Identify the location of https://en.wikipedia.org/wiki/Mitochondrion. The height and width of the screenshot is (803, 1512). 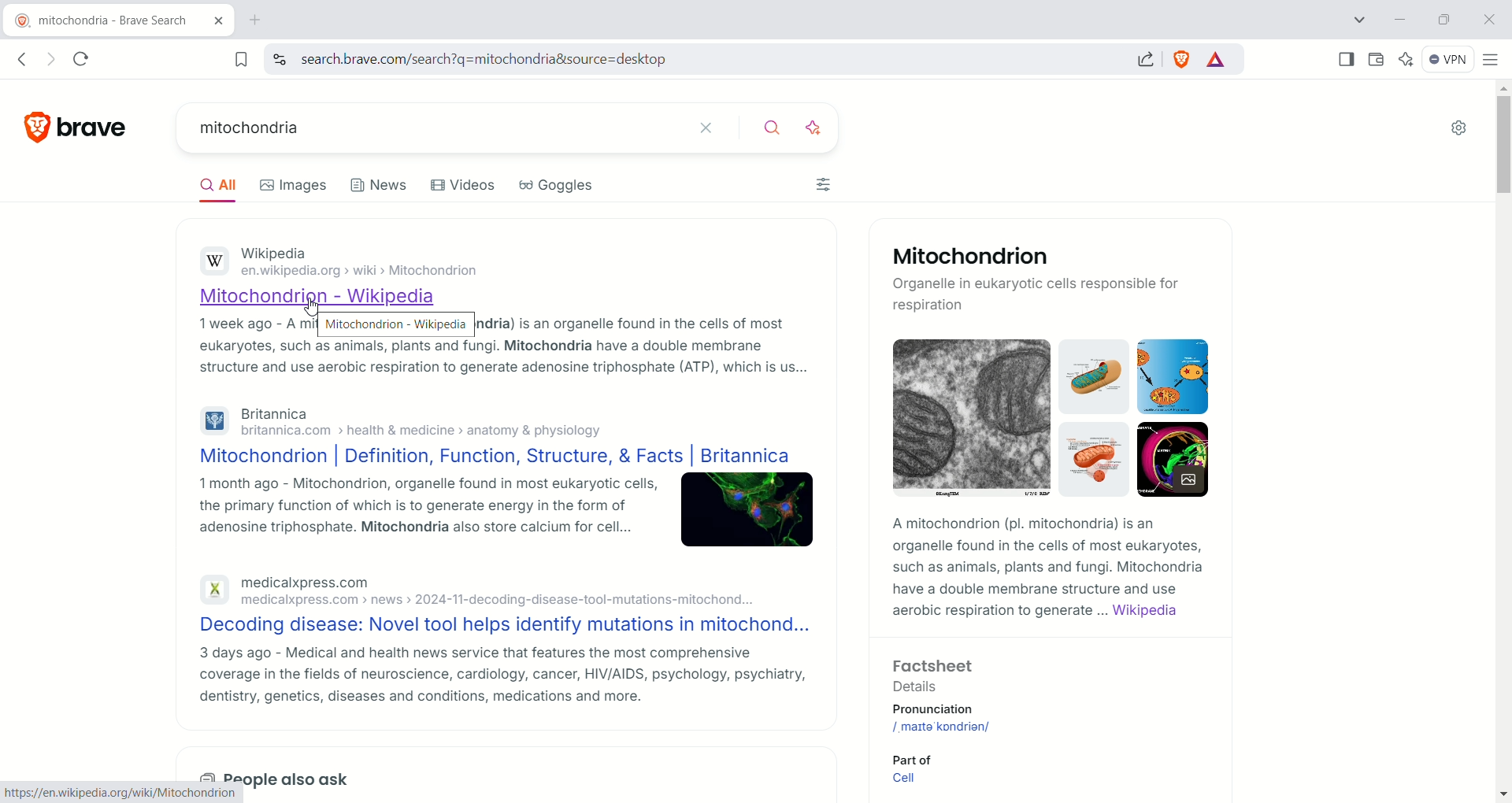
(121, 793).